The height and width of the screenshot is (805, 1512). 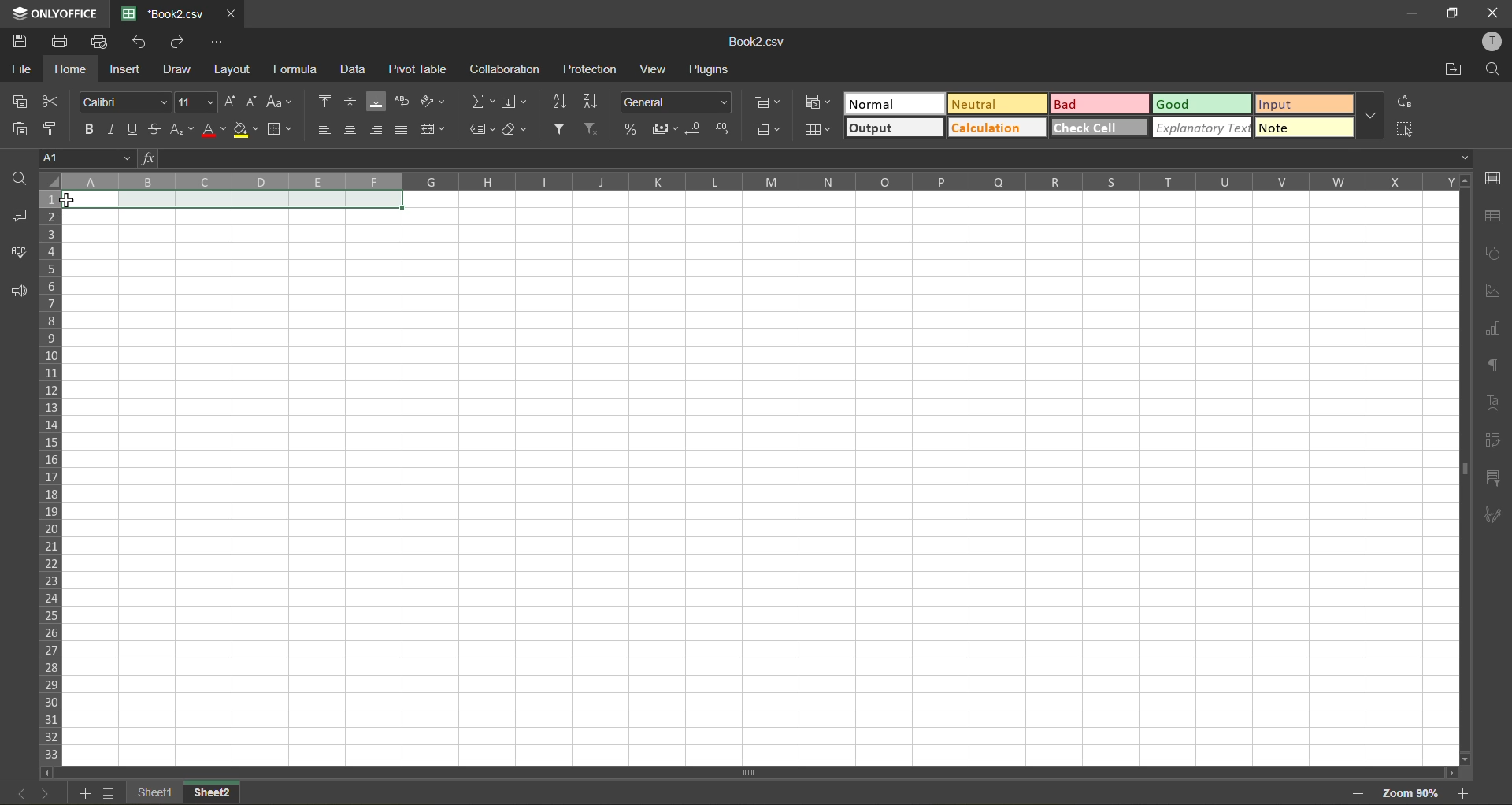 What do you see at coordinates (1495, 444) in the screenshot?
I see `pivot table` at bounding box center [1495, 444].